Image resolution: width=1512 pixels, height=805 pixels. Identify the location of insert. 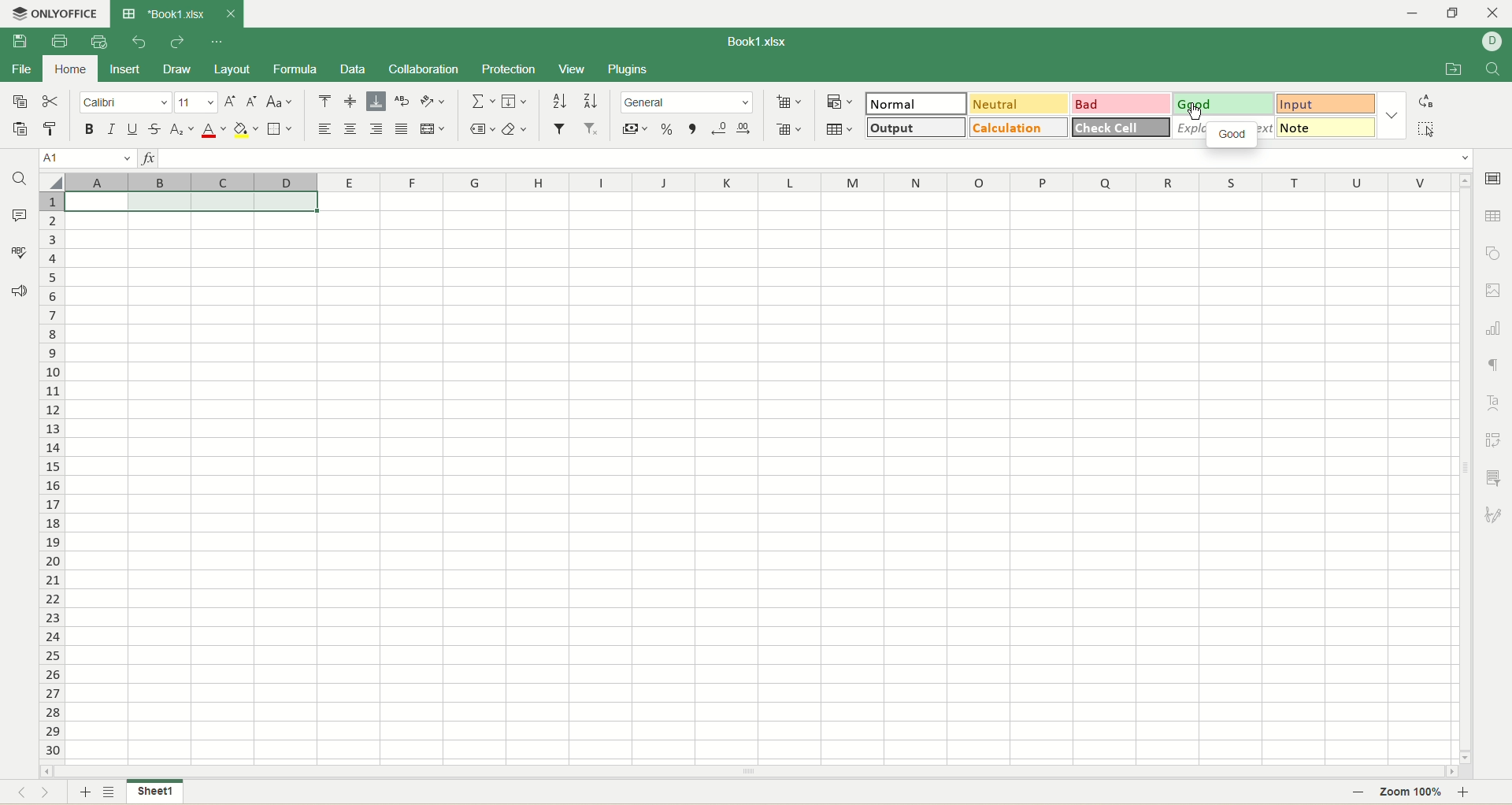
(124, 69).